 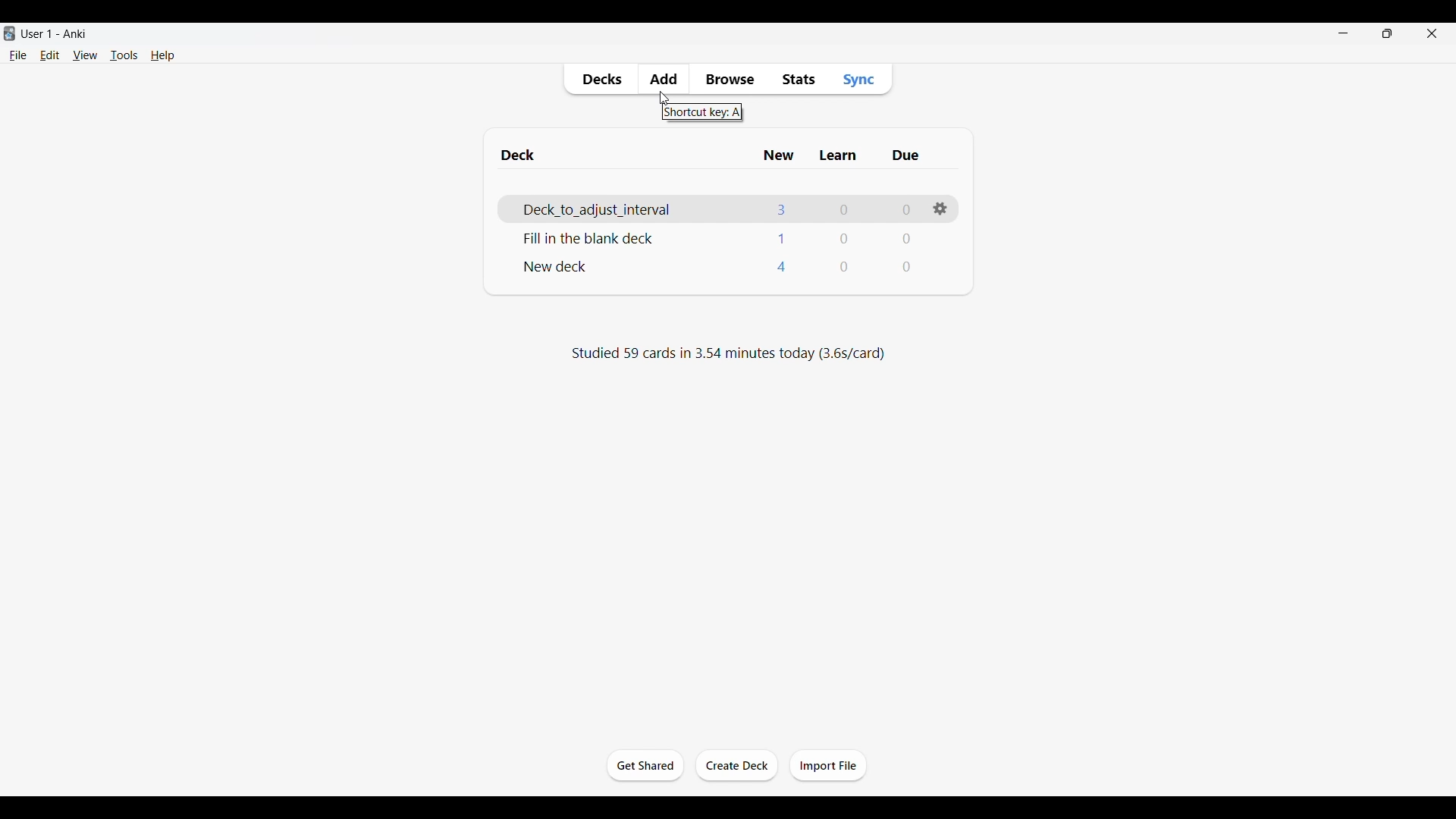 I want to click on Import file, so click(x=828, y=764).